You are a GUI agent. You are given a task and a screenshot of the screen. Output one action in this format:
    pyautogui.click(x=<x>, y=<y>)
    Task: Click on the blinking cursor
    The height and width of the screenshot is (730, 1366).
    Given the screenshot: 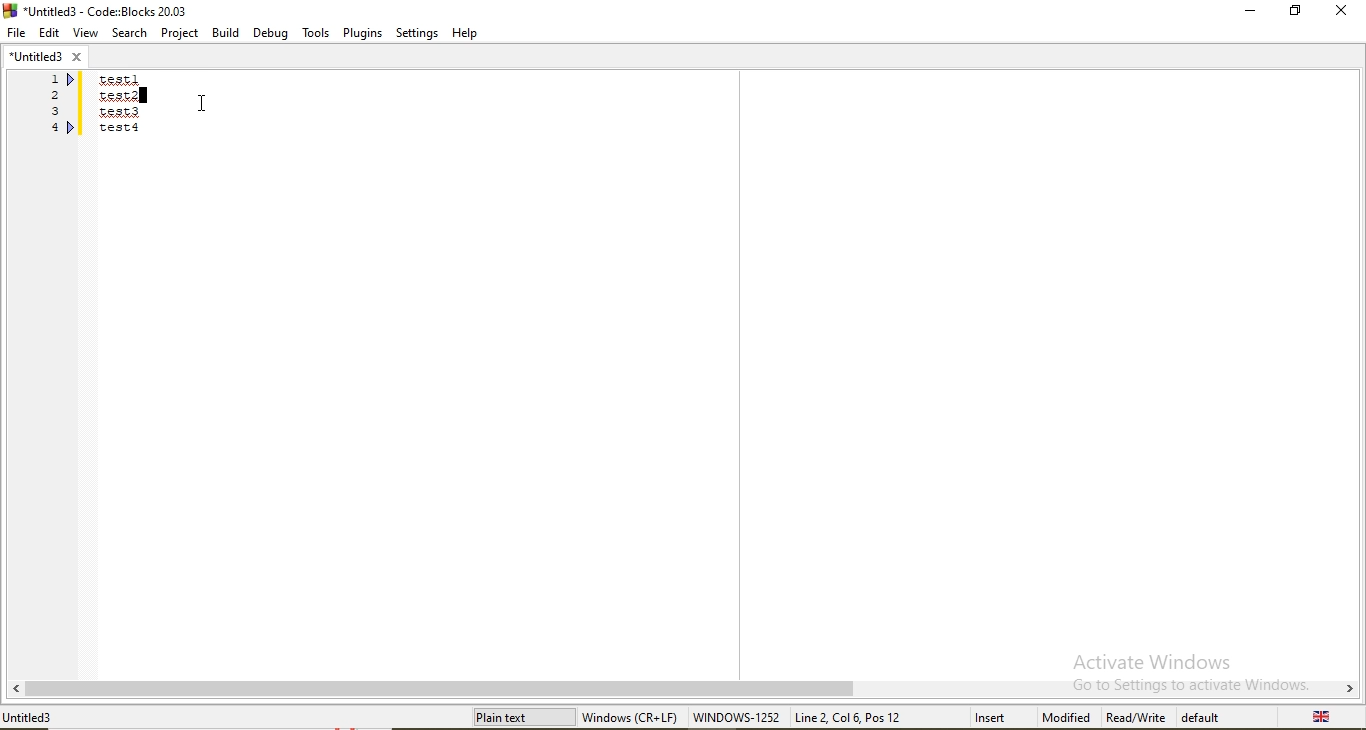 What is the action you would take?
    pyautogui.click(x=146, y=95)
    